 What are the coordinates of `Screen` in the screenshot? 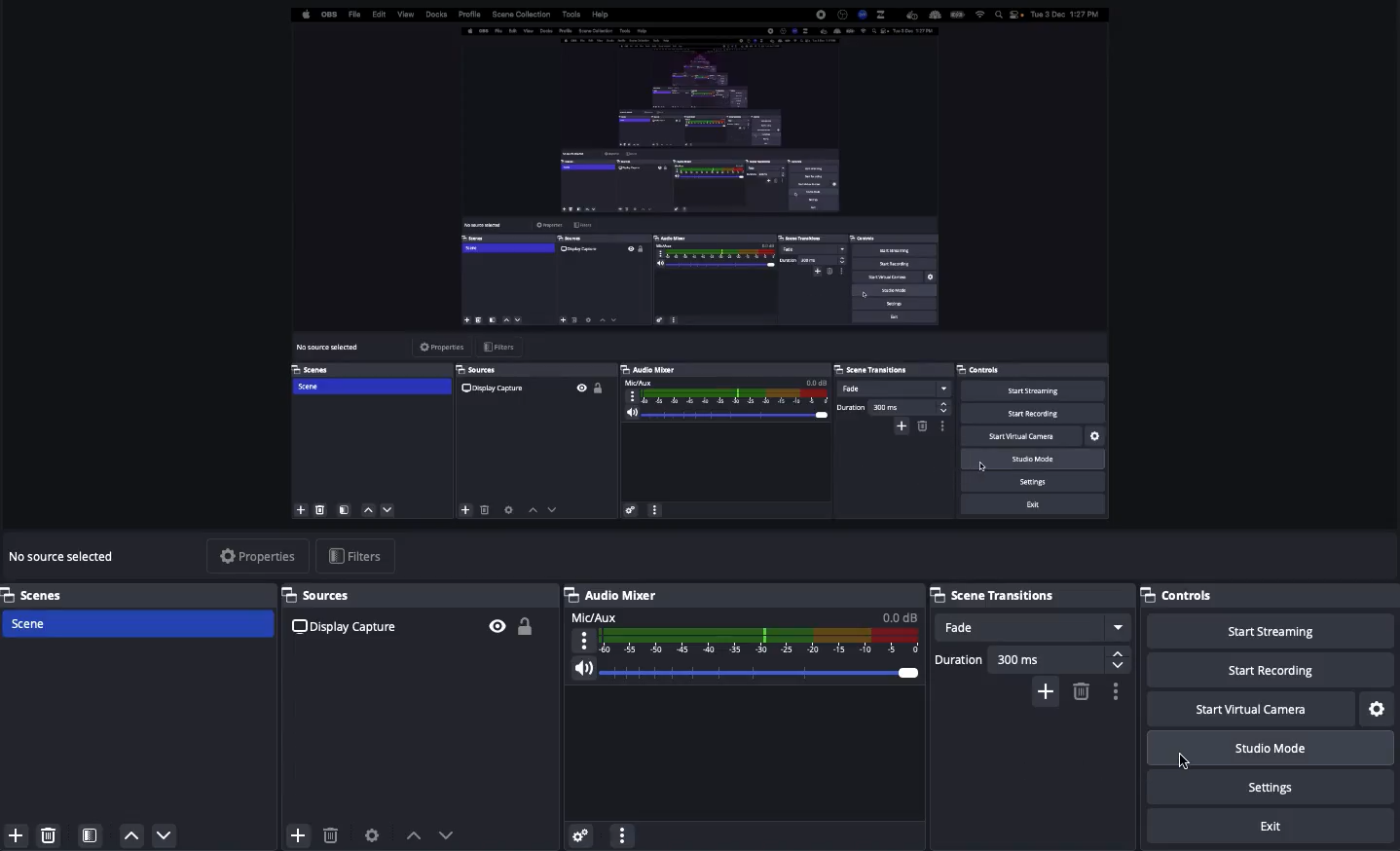 It's located at (697, 265).